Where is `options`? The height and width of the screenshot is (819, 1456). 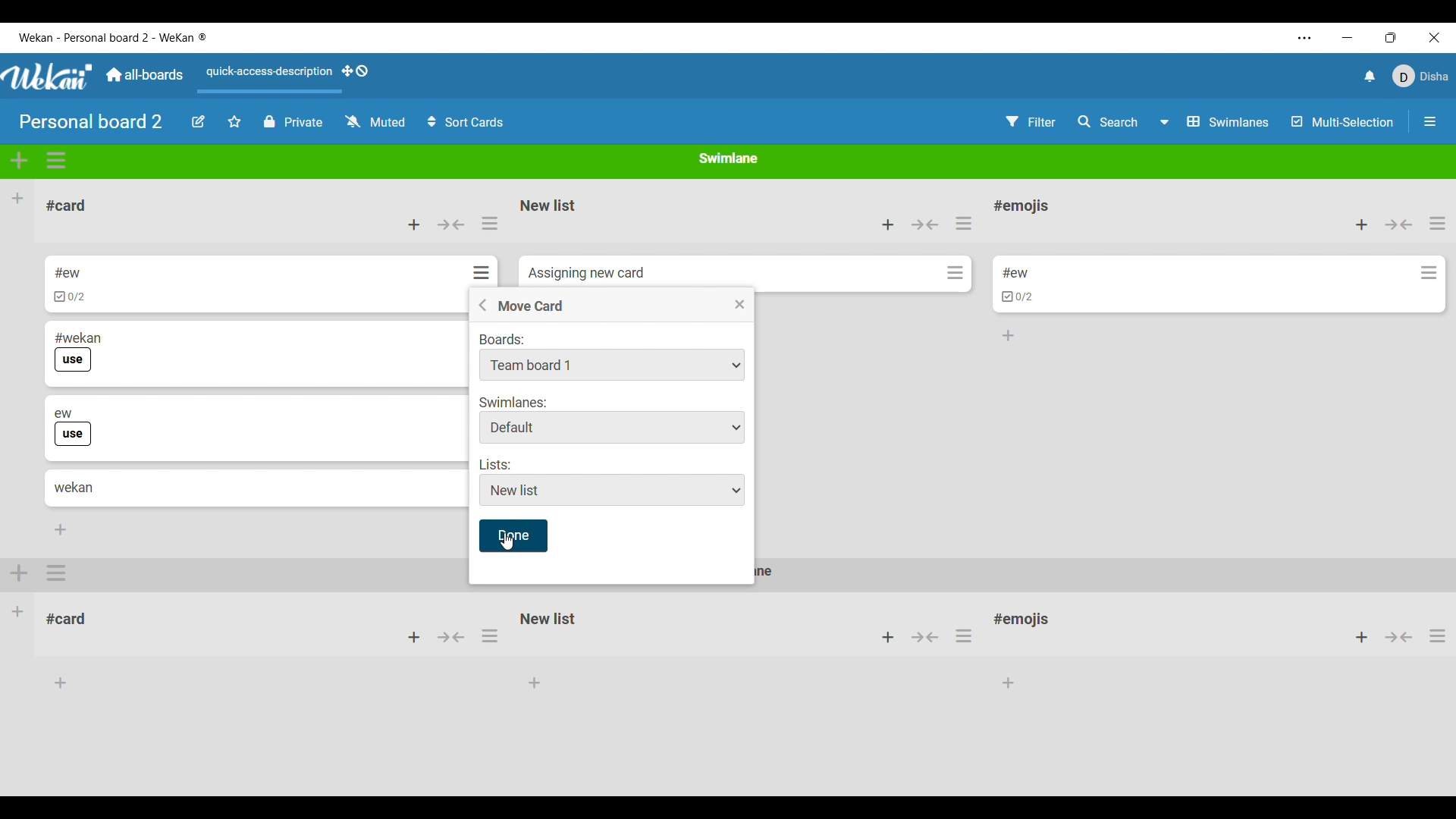
options is located at coordinates (1437, 641).